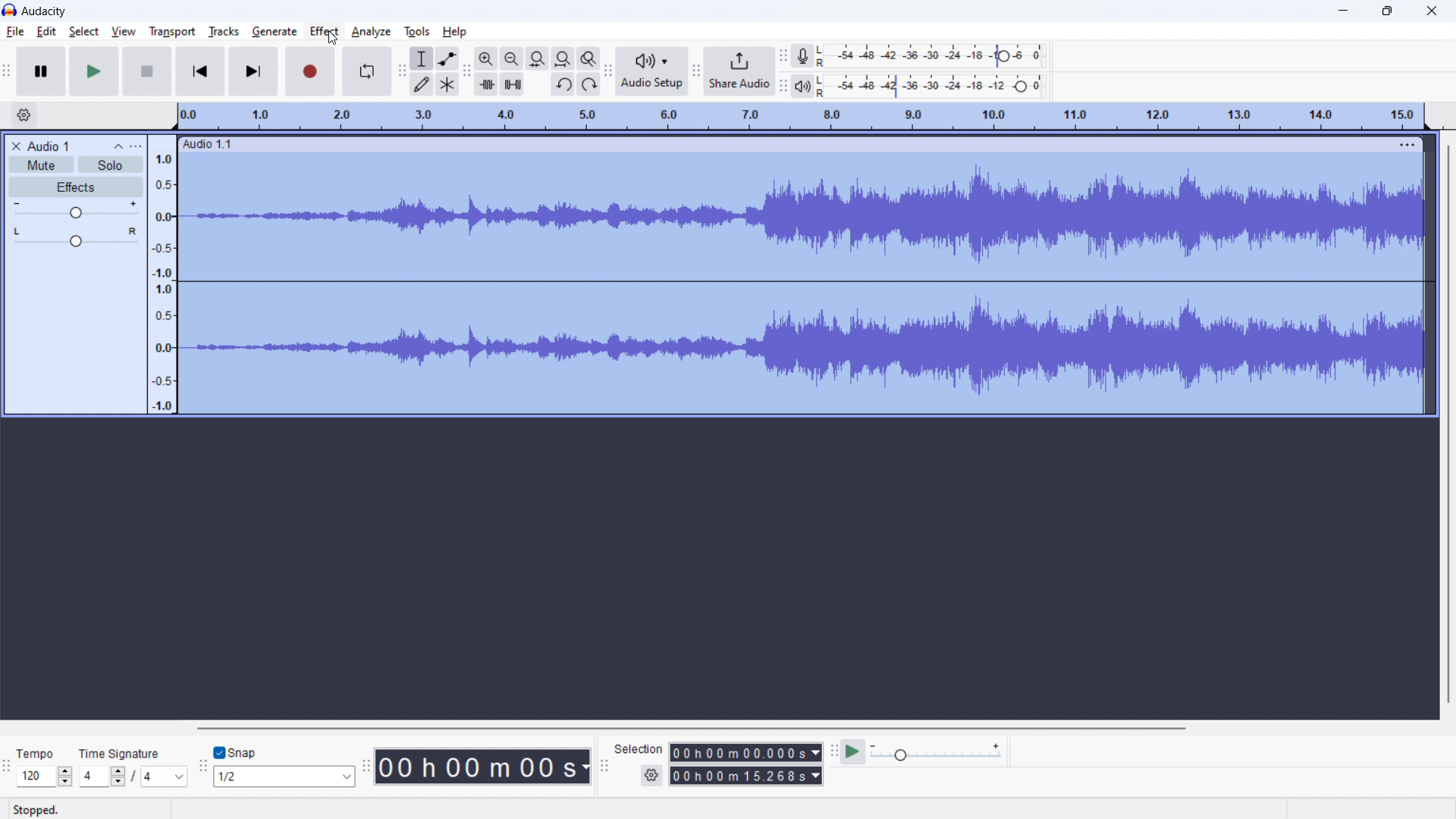  Describe the element at coordinates (40, 749) in the screenshot. I see `Tempo` at that location.